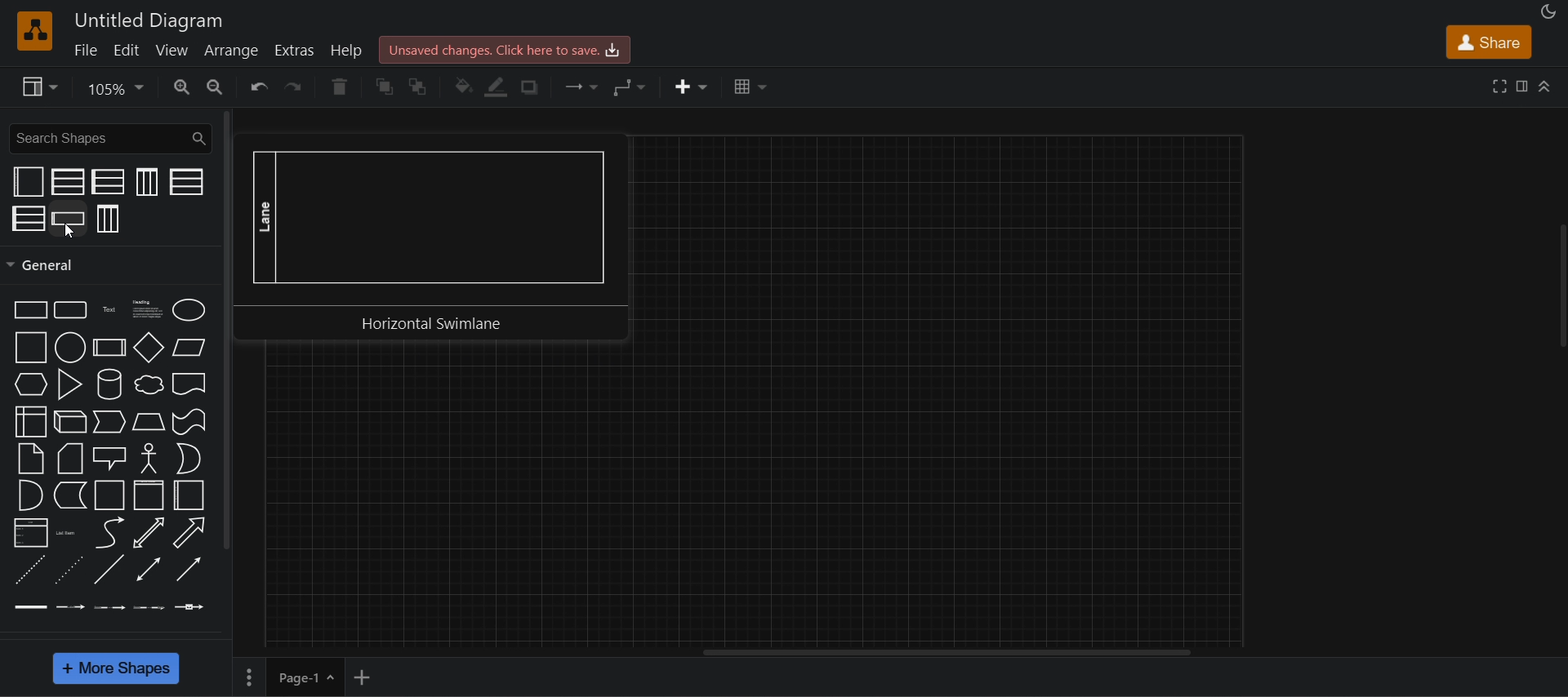 This screenshot has height=697, width=1568. I want to click on general, so click(228, 328).